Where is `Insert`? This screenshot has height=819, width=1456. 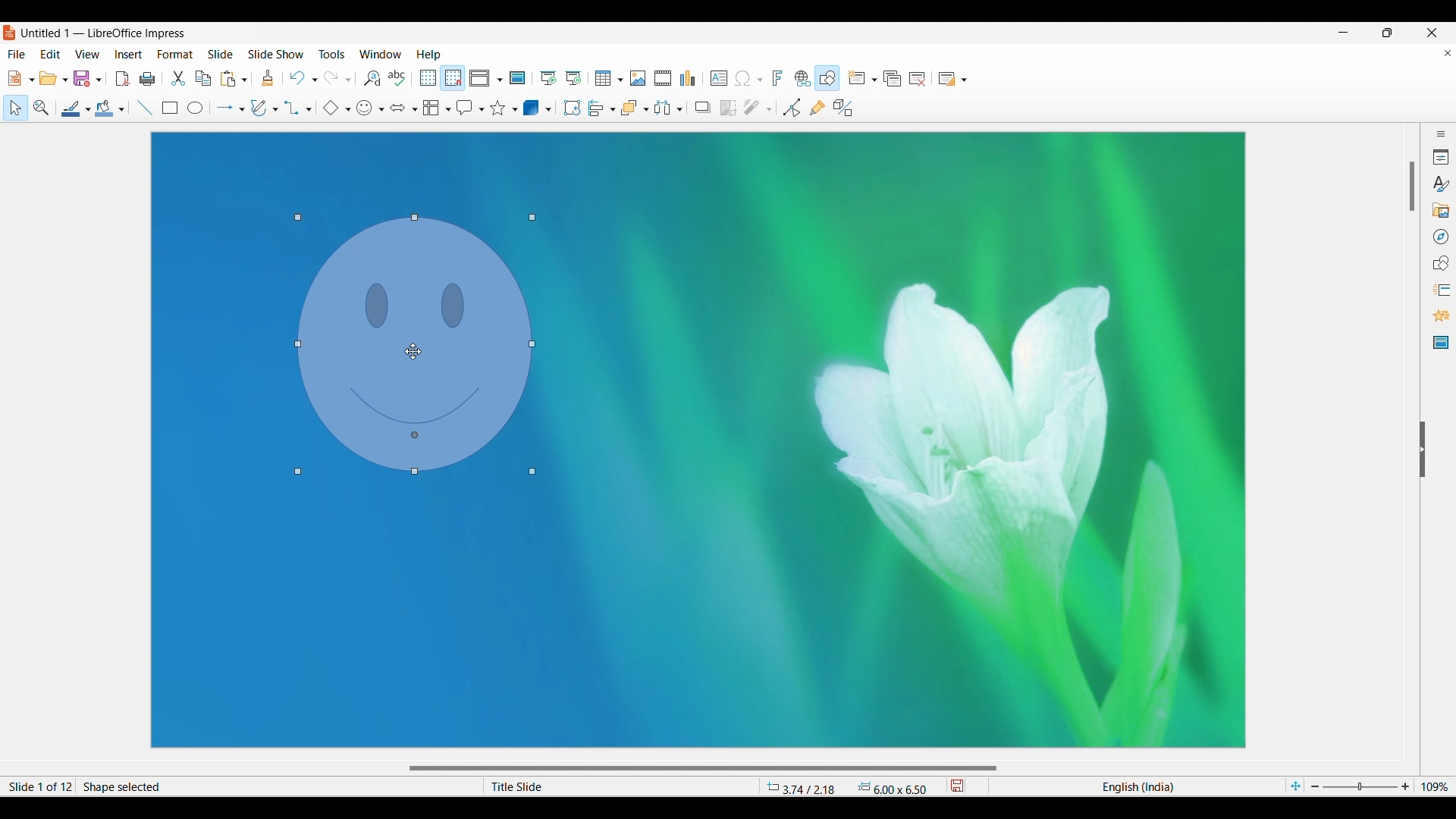 Insert is located at coordinates (129, 55).